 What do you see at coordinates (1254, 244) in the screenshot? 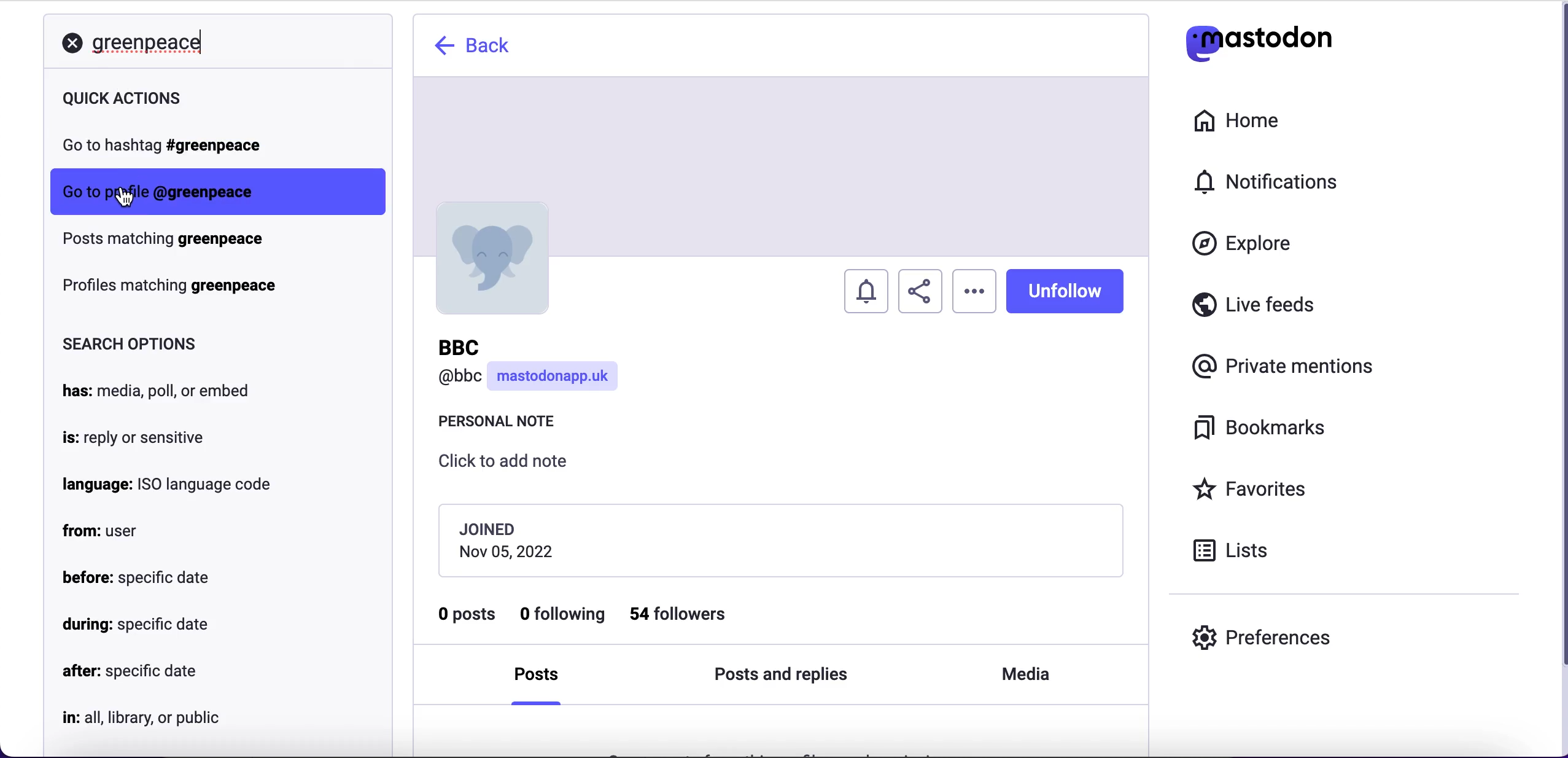
I see `explore` at bounding box center [1254, 244].